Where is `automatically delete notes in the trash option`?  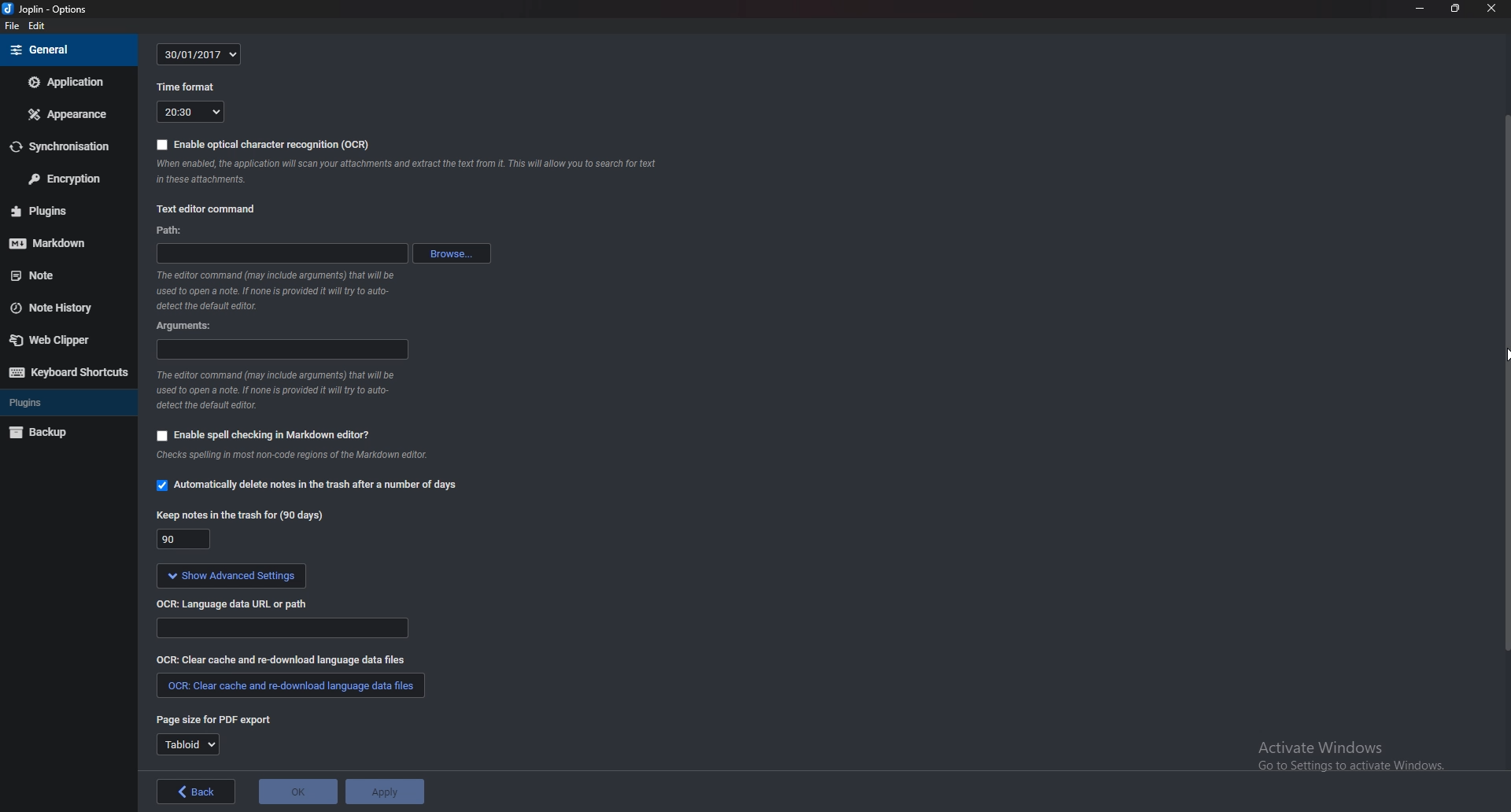
automatically delete notes in the trash option is located at coordinates (308, 484).